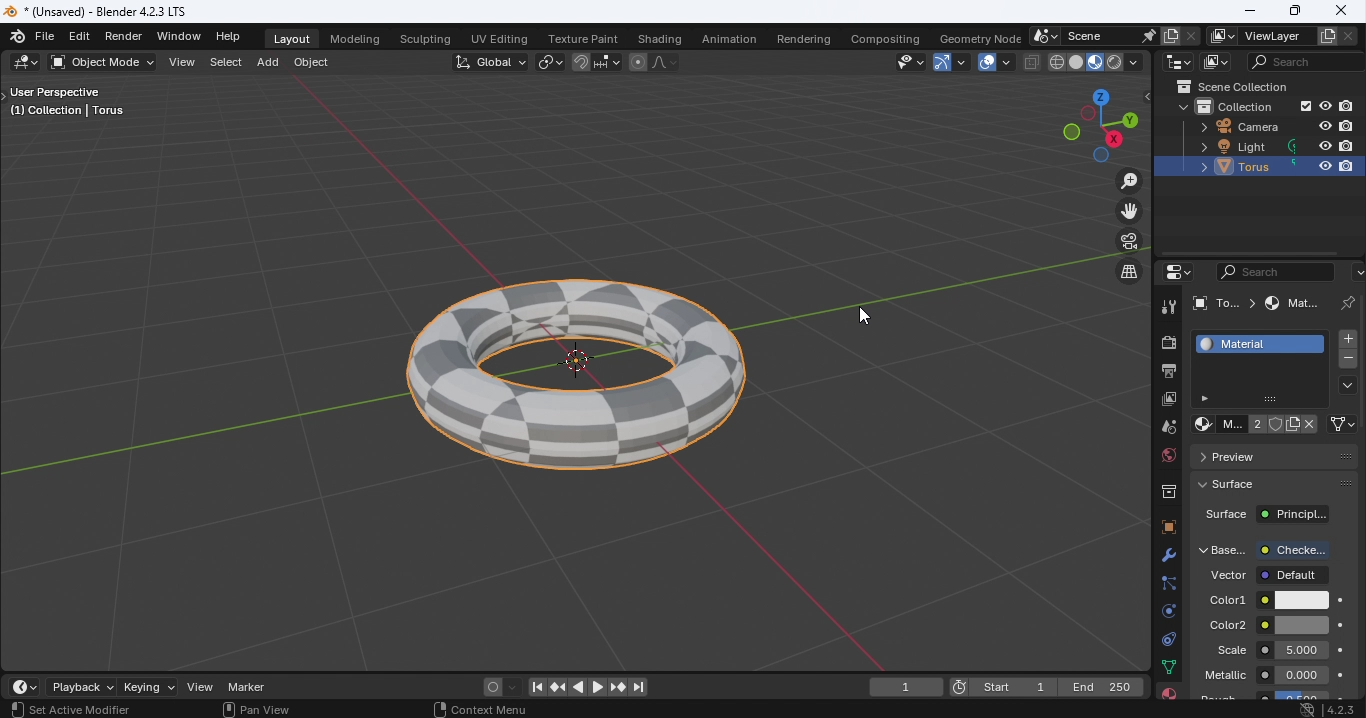 The height and width of the screenshot is (718, 1366). Describe the element at coordinates (1167, 370) in the screenshot. I see `Output` at that location.